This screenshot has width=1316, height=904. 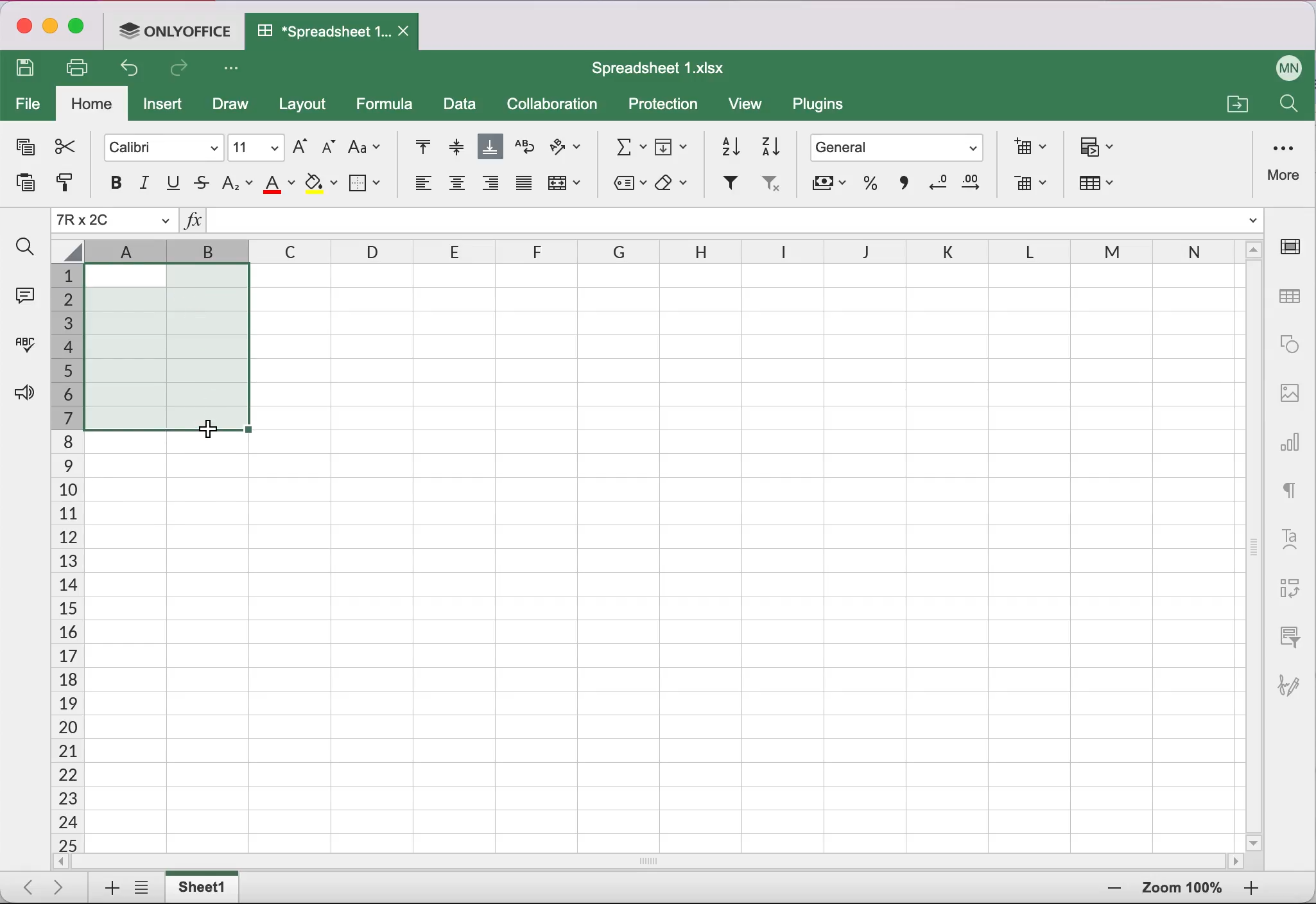 I want to click on redo, so click(x=182, y=71).